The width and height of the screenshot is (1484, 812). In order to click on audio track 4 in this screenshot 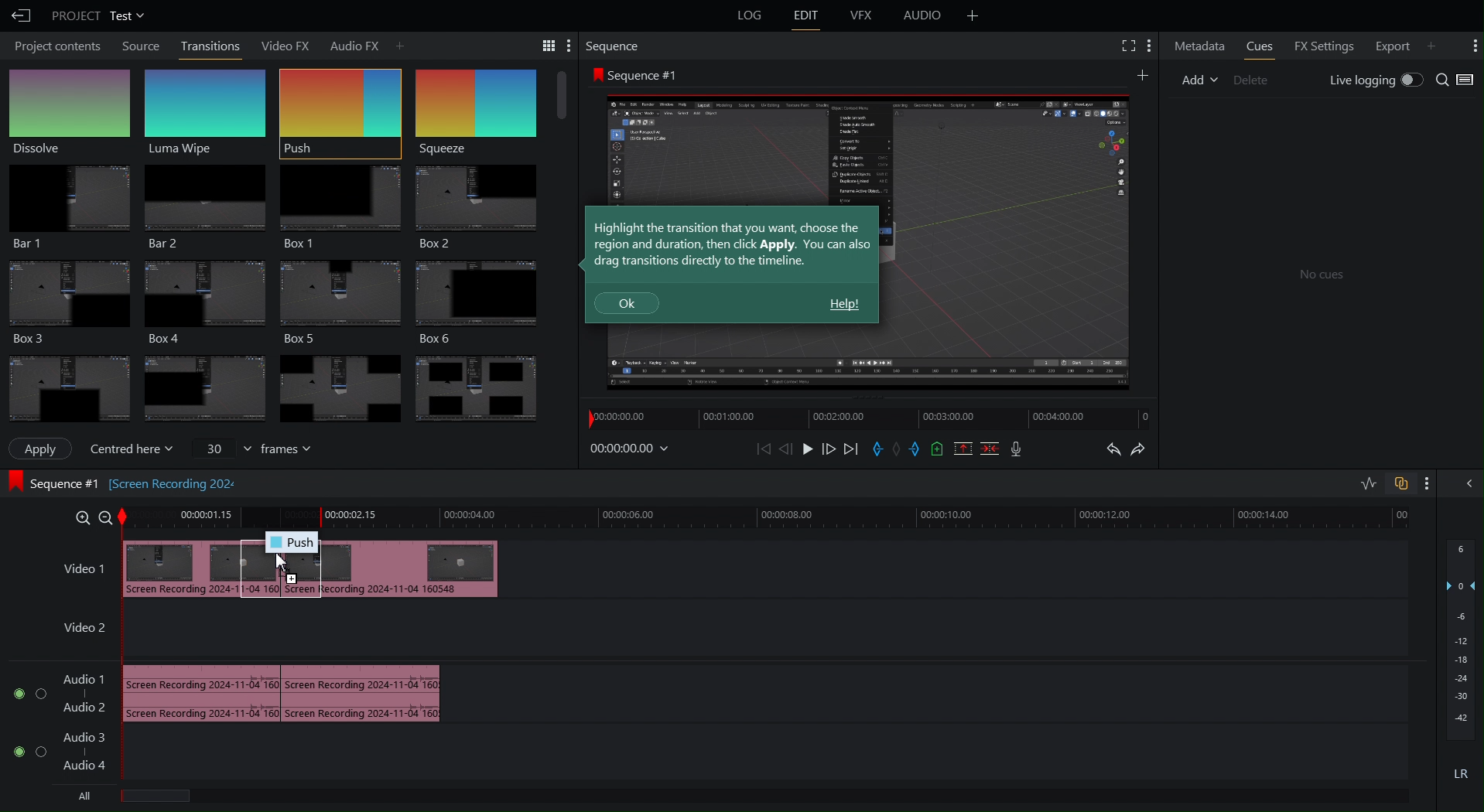, I will do `click(92, 767)`.